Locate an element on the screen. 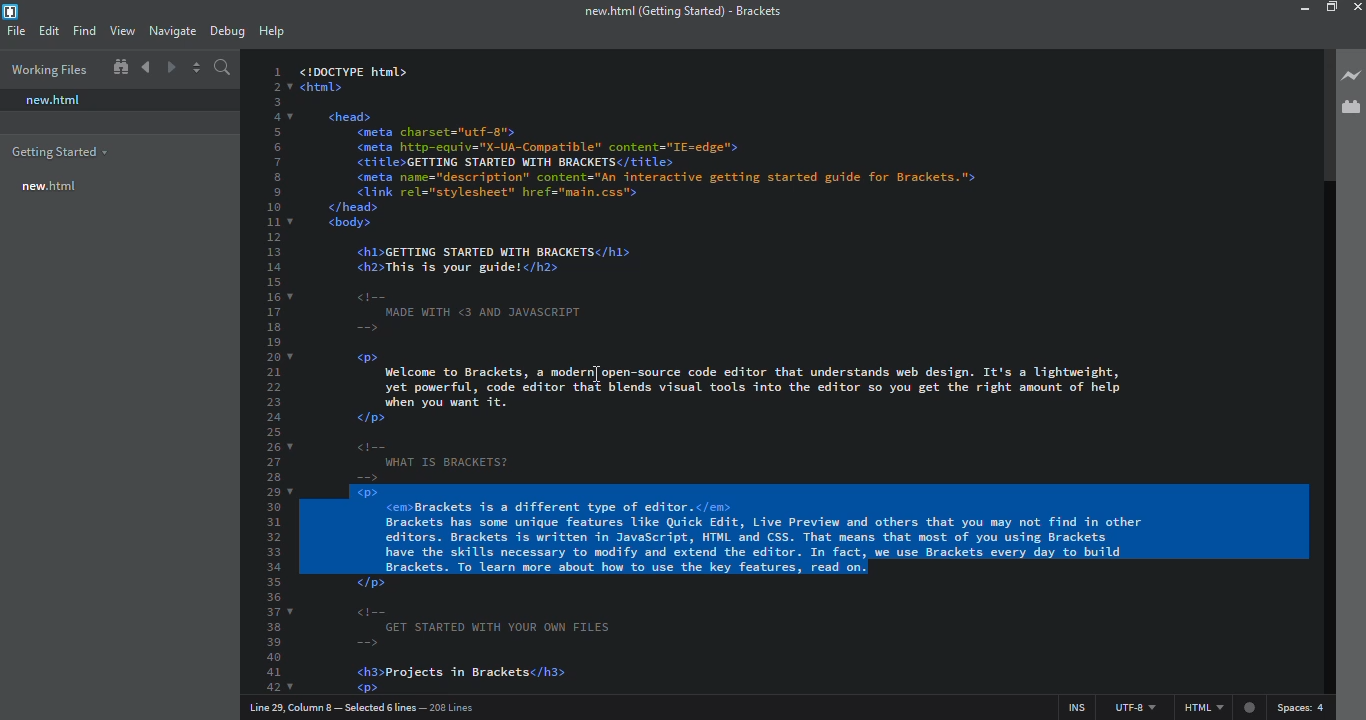 The image size is (1366, 720). help is located at coordinates (275, 29).